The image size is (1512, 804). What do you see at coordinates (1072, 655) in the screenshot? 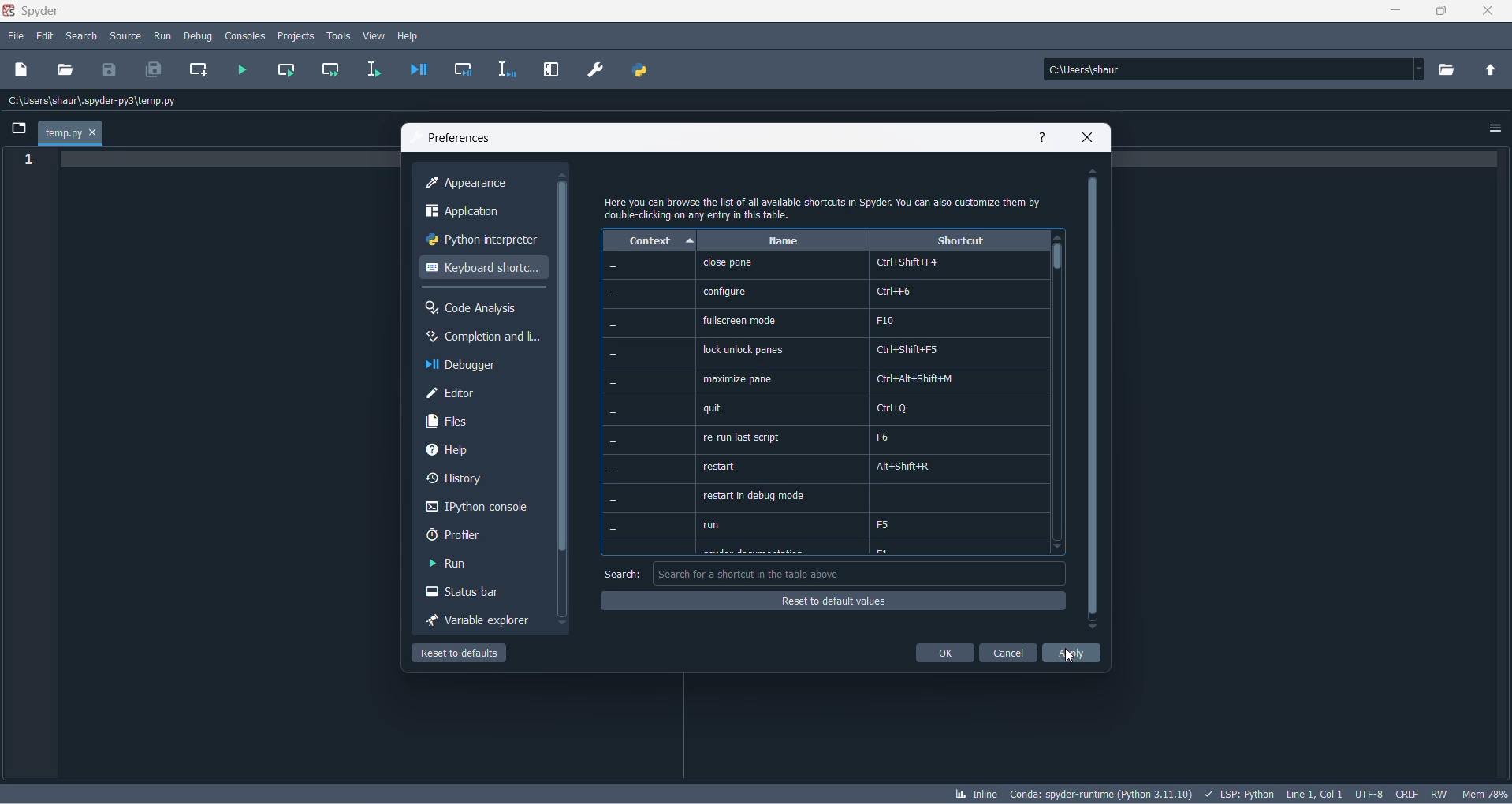
I see `apply` at bounding box center [1072, 655].